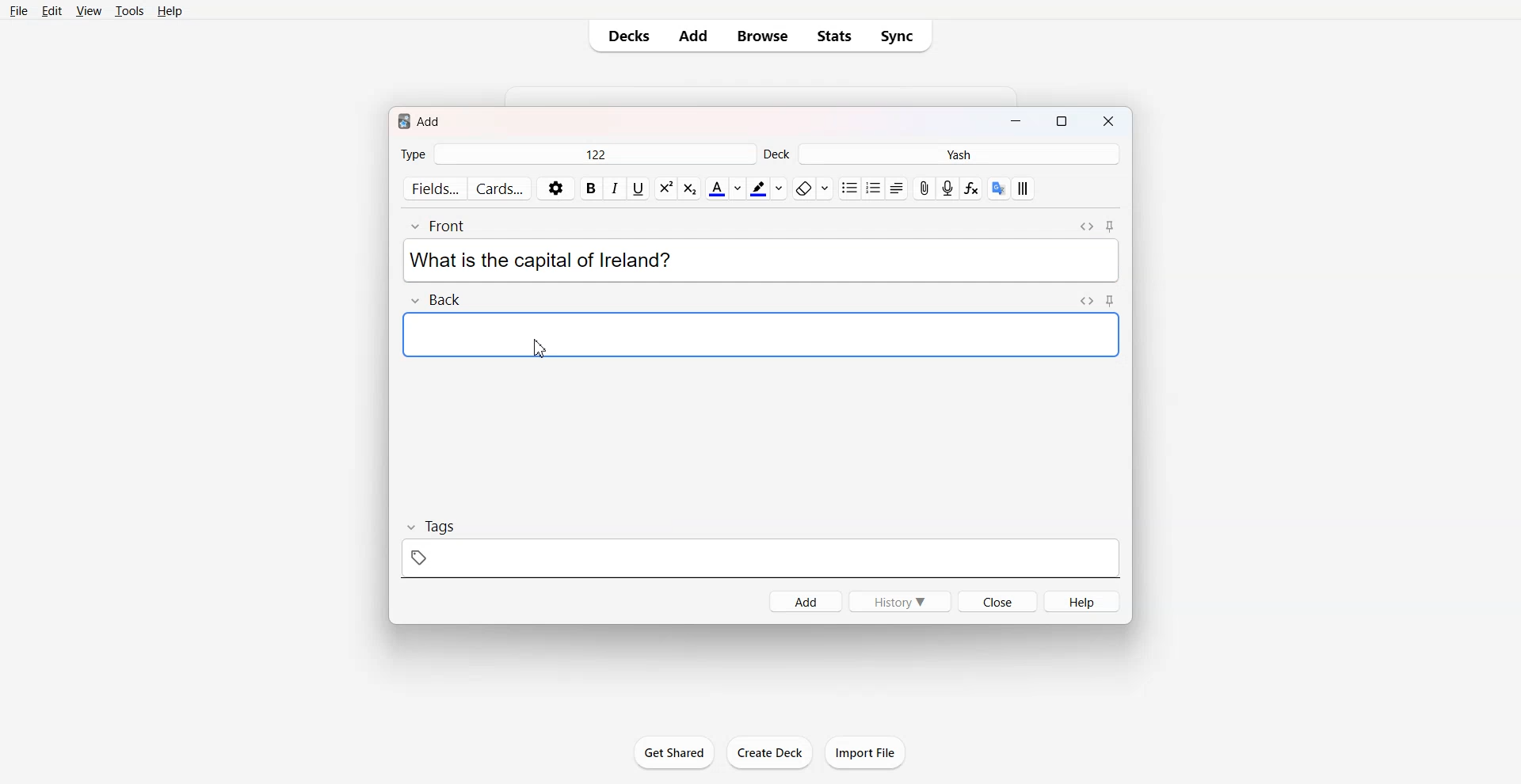 The height and width of the screenshot is (784, 1521). Describe the element at coordinates (673, 752) in the screenshot. I see `Get Shared` at that location.